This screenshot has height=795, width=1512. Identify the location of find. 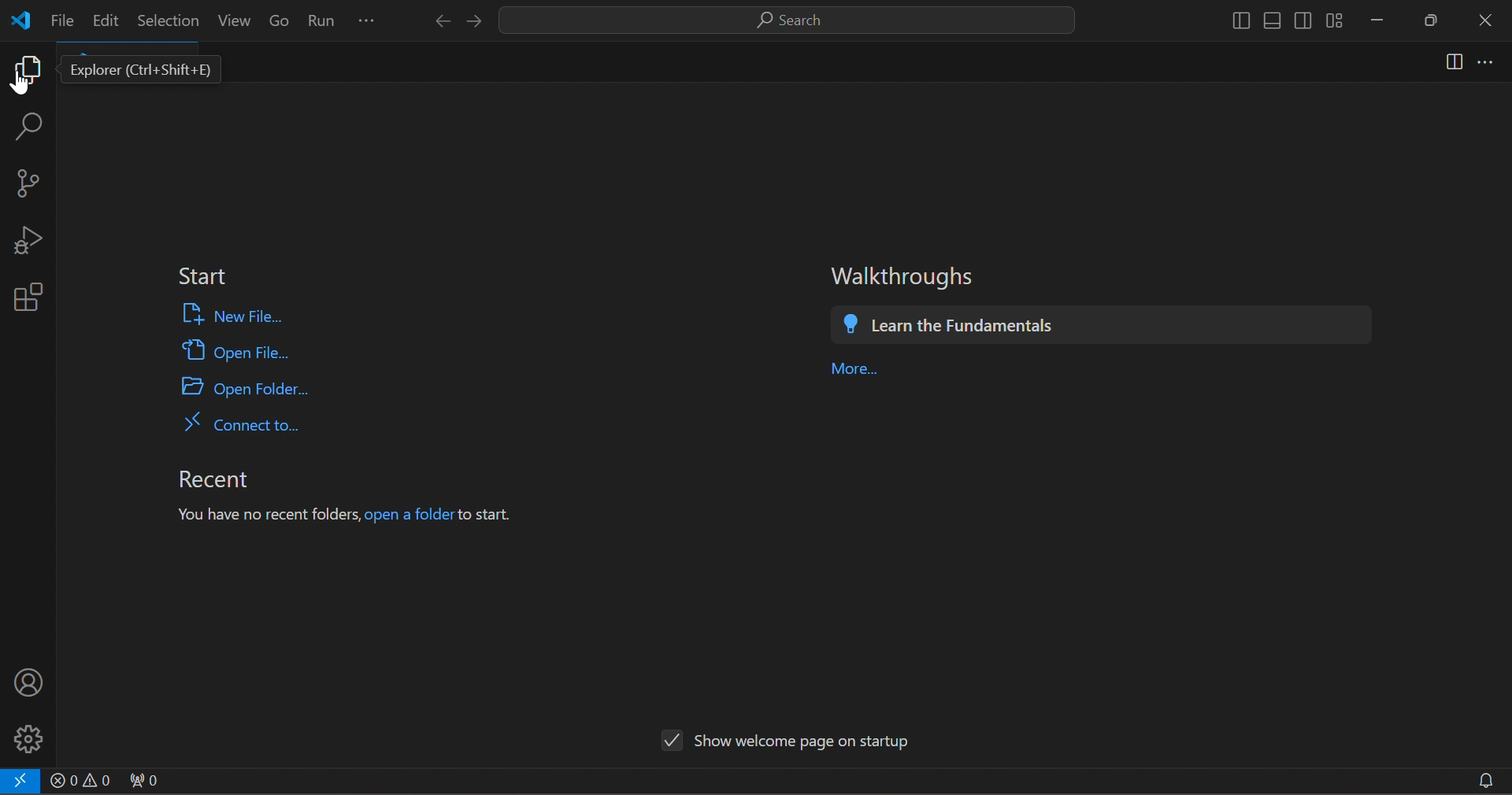
(33, 124).